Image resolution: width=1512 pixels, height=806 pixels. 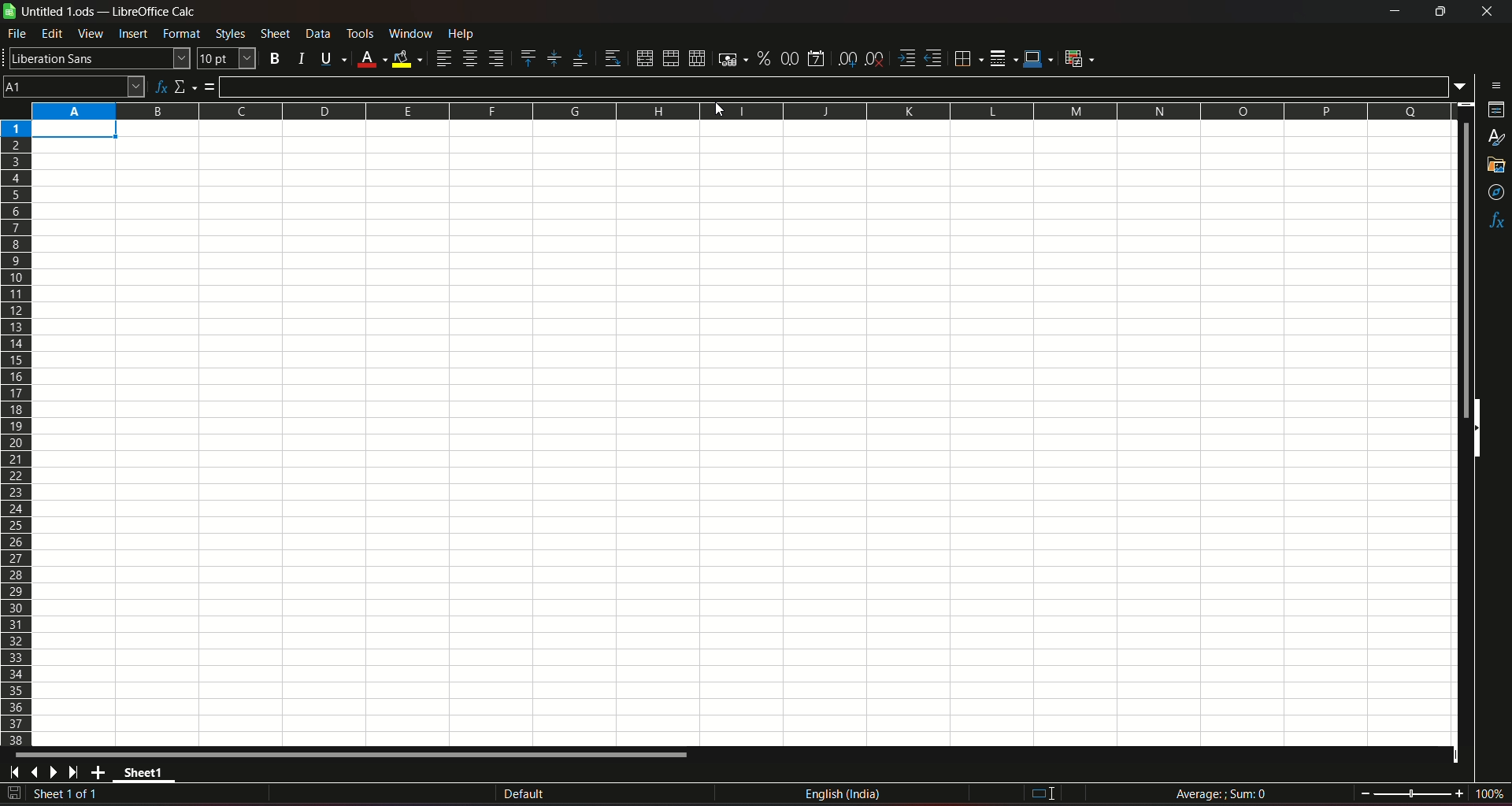 I want to click on vertical scroll bar, so click(x=1464, y=271).